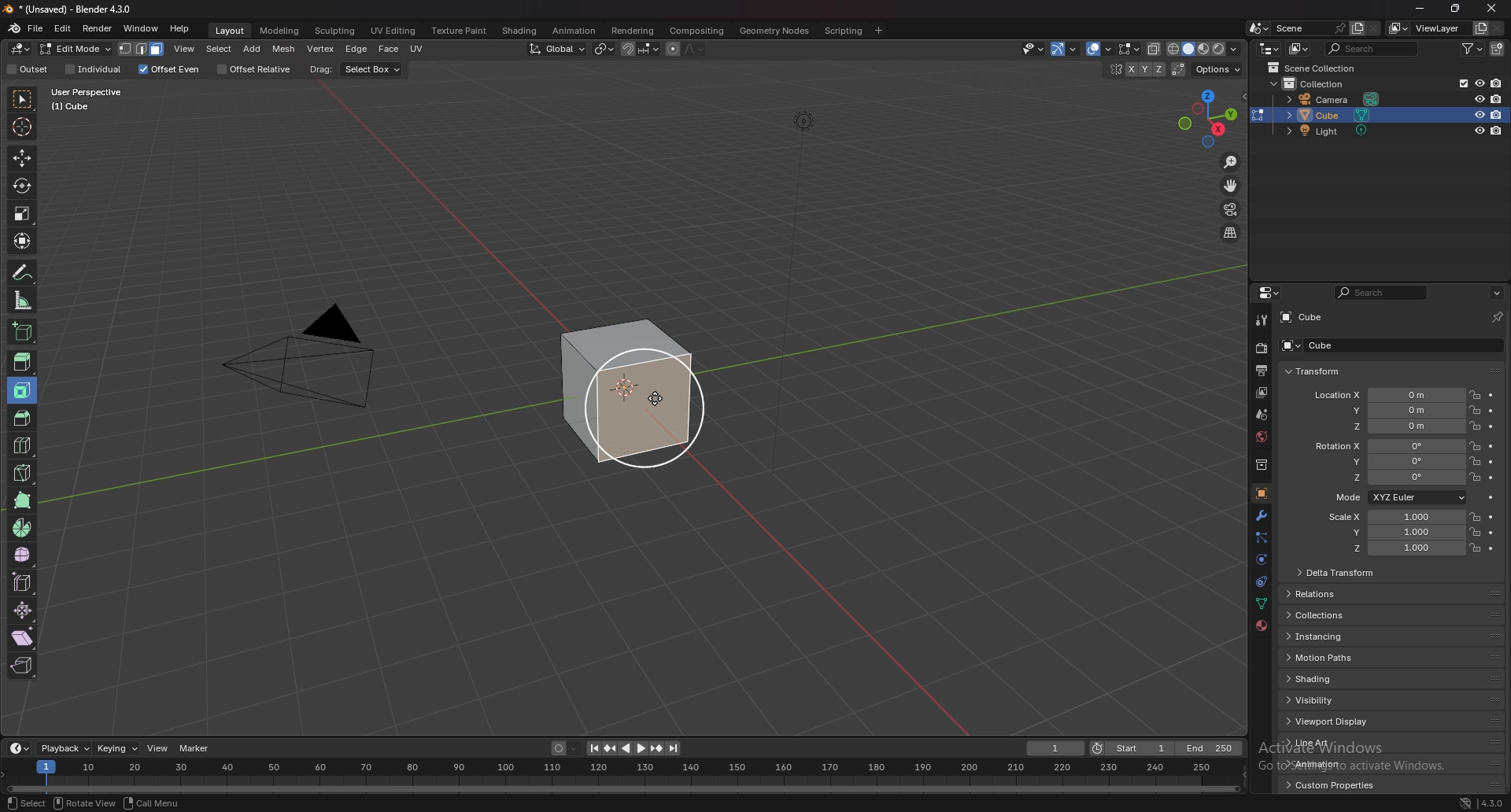 Image resolution: width=1511 pixels, height=812 pixels. Describe the element at coordinates (565, 748) in the screenshot. I see `auto keying` at that location.